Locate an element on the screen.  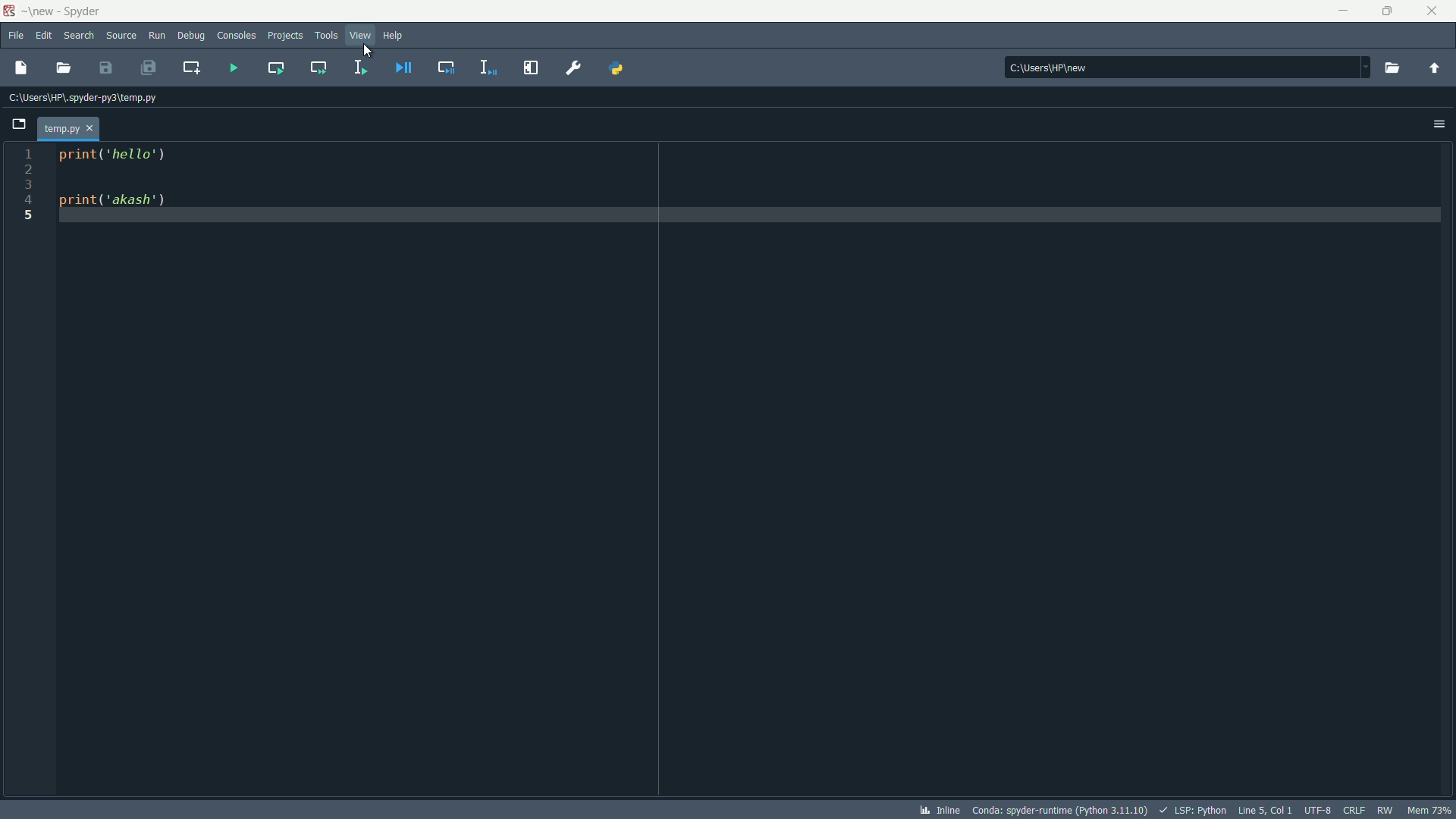
debug menu is located at coordinates (190, 34).